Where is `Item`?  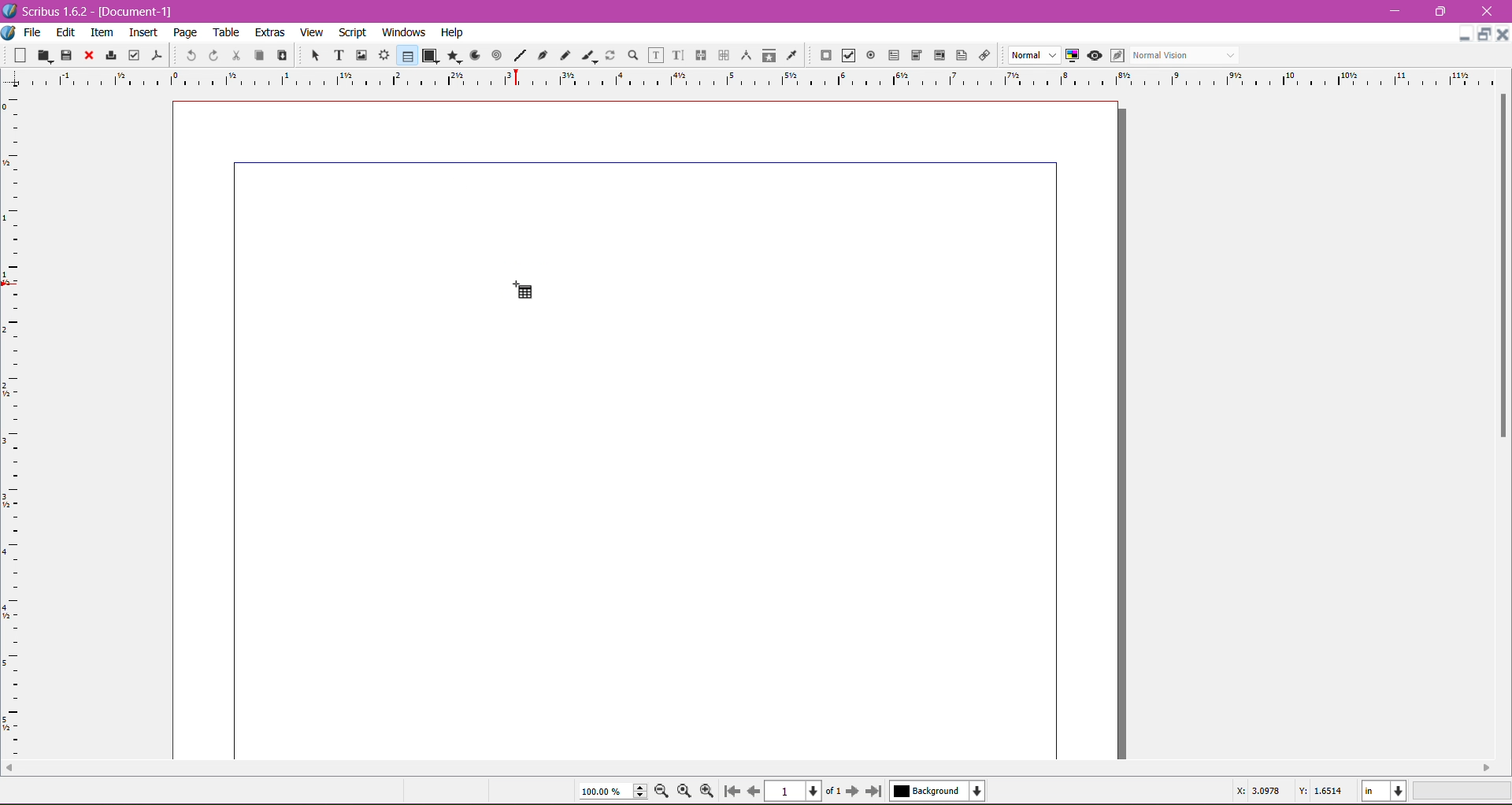 Item is located at coordinates (102, 32).